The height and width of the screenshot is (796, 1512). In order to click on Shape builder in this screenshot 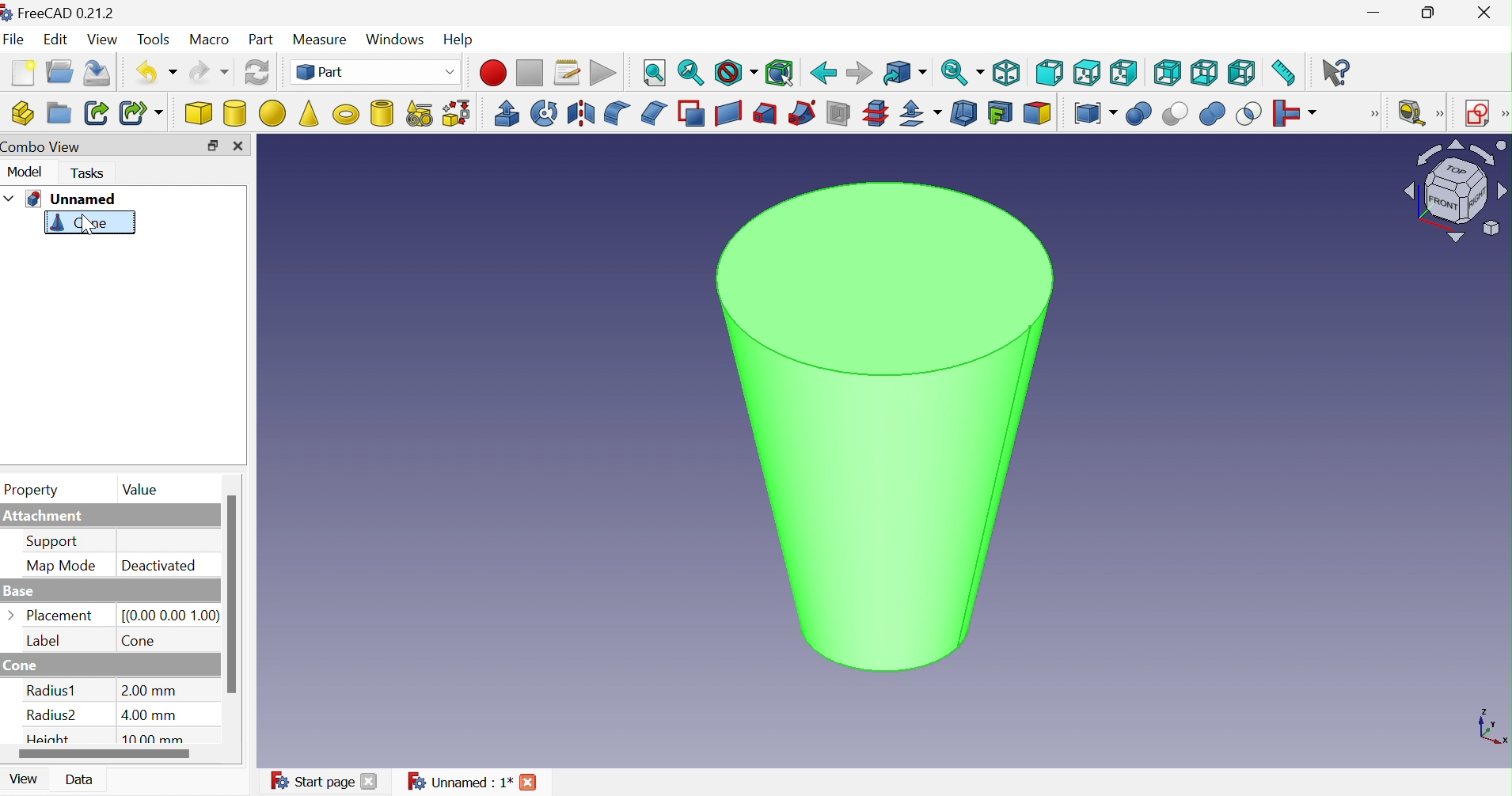, I will do `click(460, 112)`.